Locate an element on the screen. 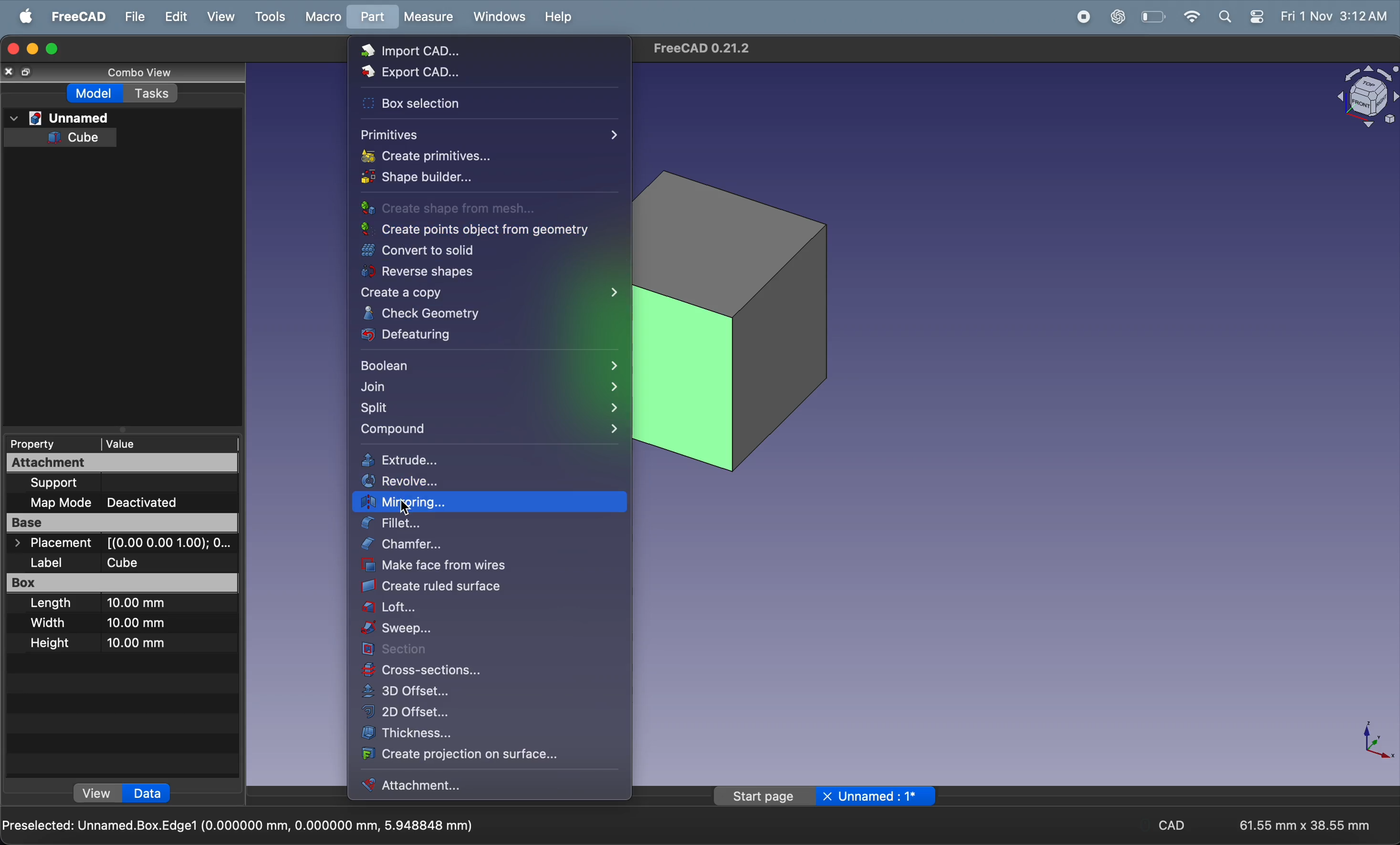  wifi is located at coordinates (1187, 16).